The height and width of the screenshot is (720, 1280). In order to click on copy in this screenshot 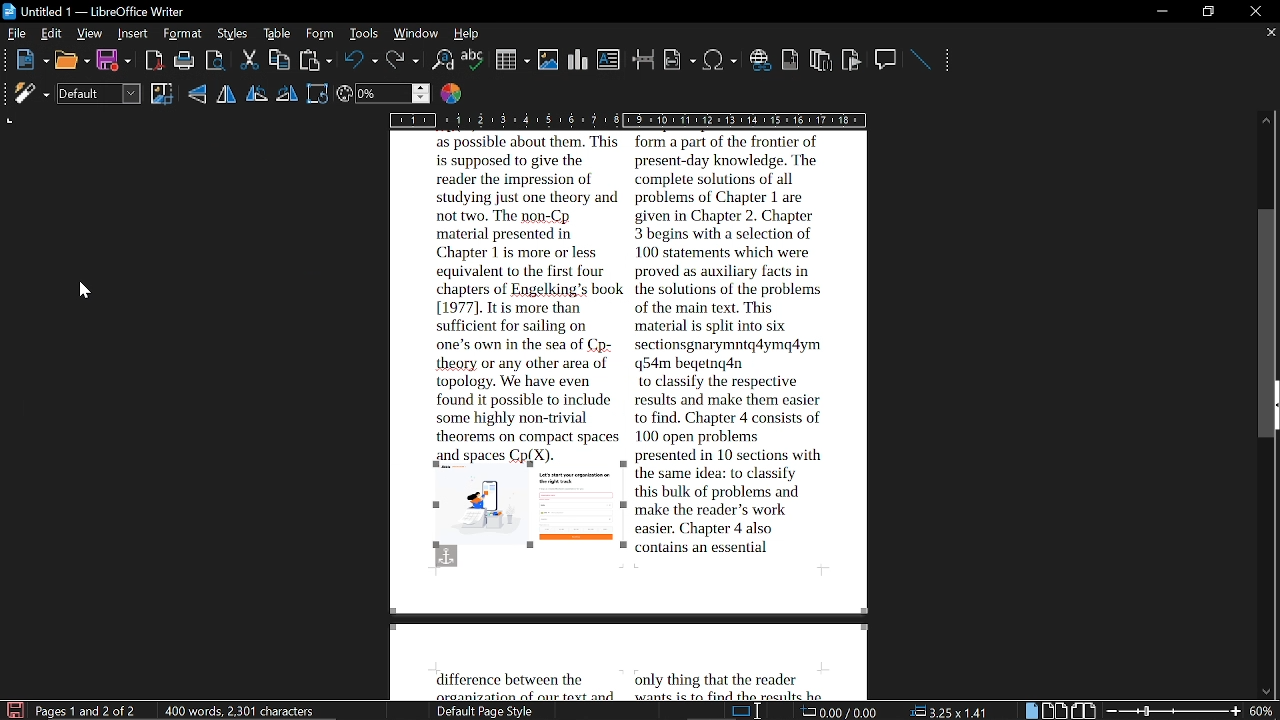, I will do `click(279, 59)`.